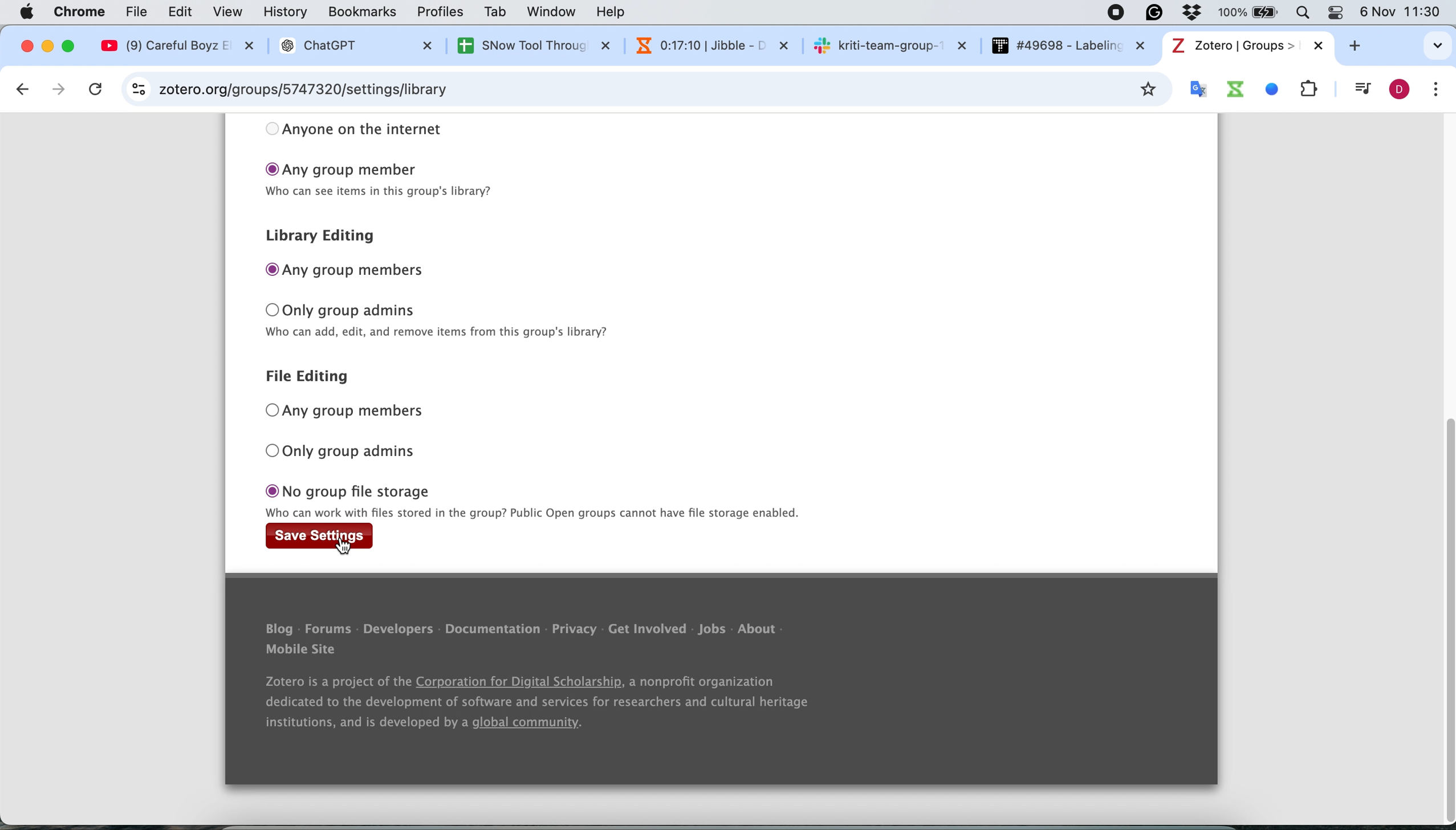 This screenshot has height=830, width=1456. What do you see at coordinates (344, 449) in the screenshot?
I see `only group admins` at bounding box center [344, 449].